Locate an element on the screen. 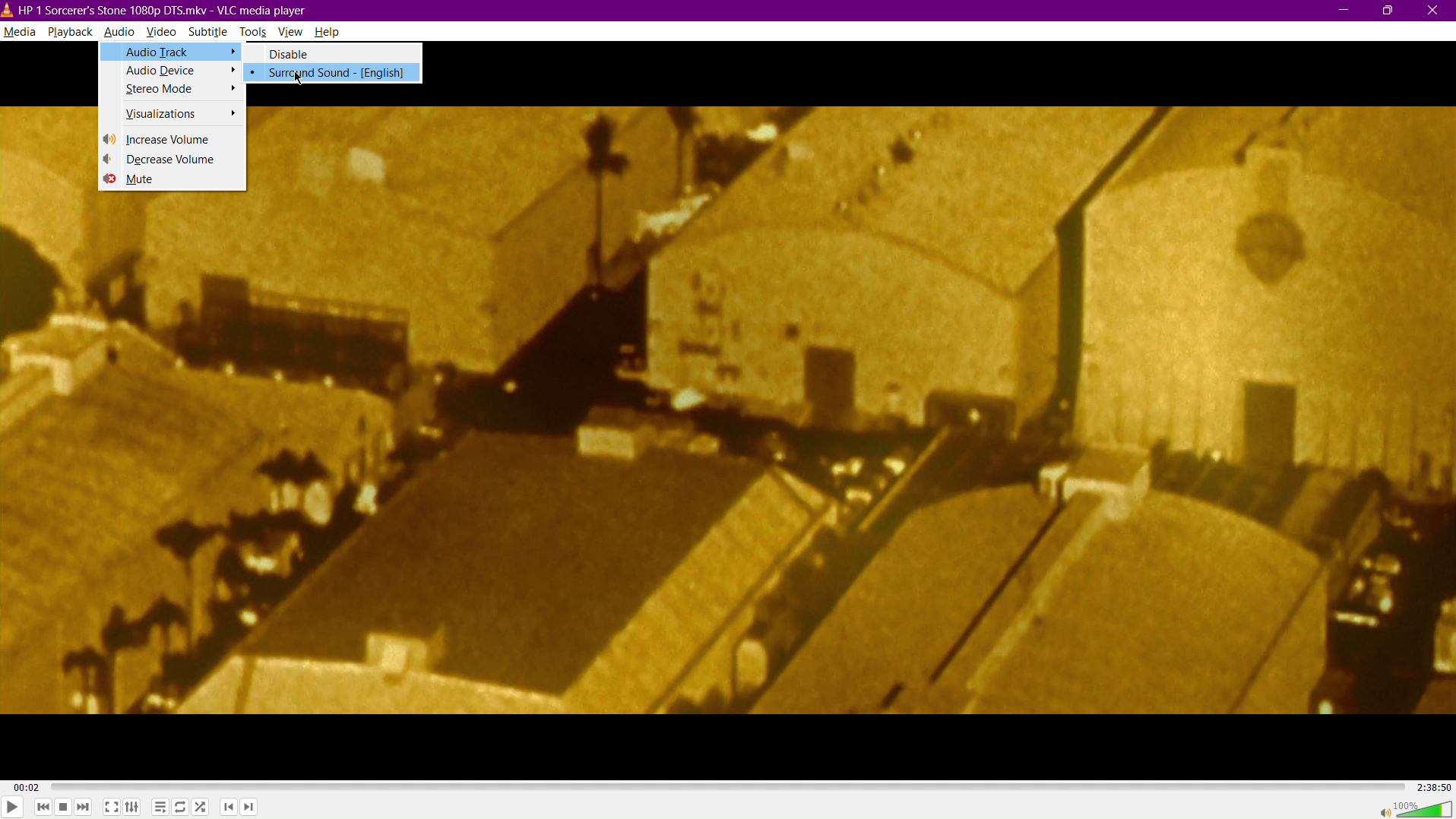  HP | Sorcerer's Stone 1080p DTS.mkv - VLC media player is located at coordinates (155, 11).